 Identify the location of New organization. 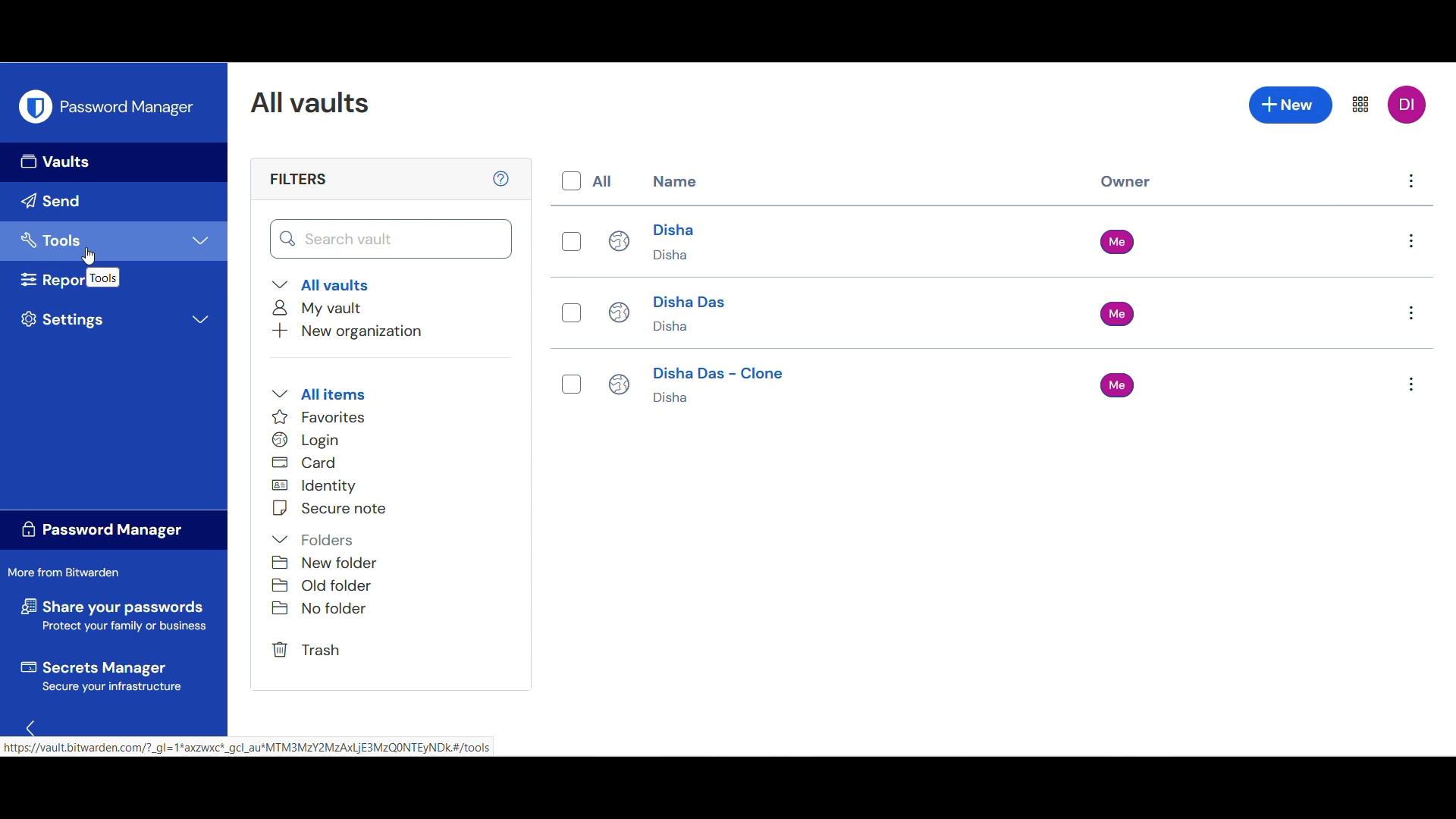
(347, 331).